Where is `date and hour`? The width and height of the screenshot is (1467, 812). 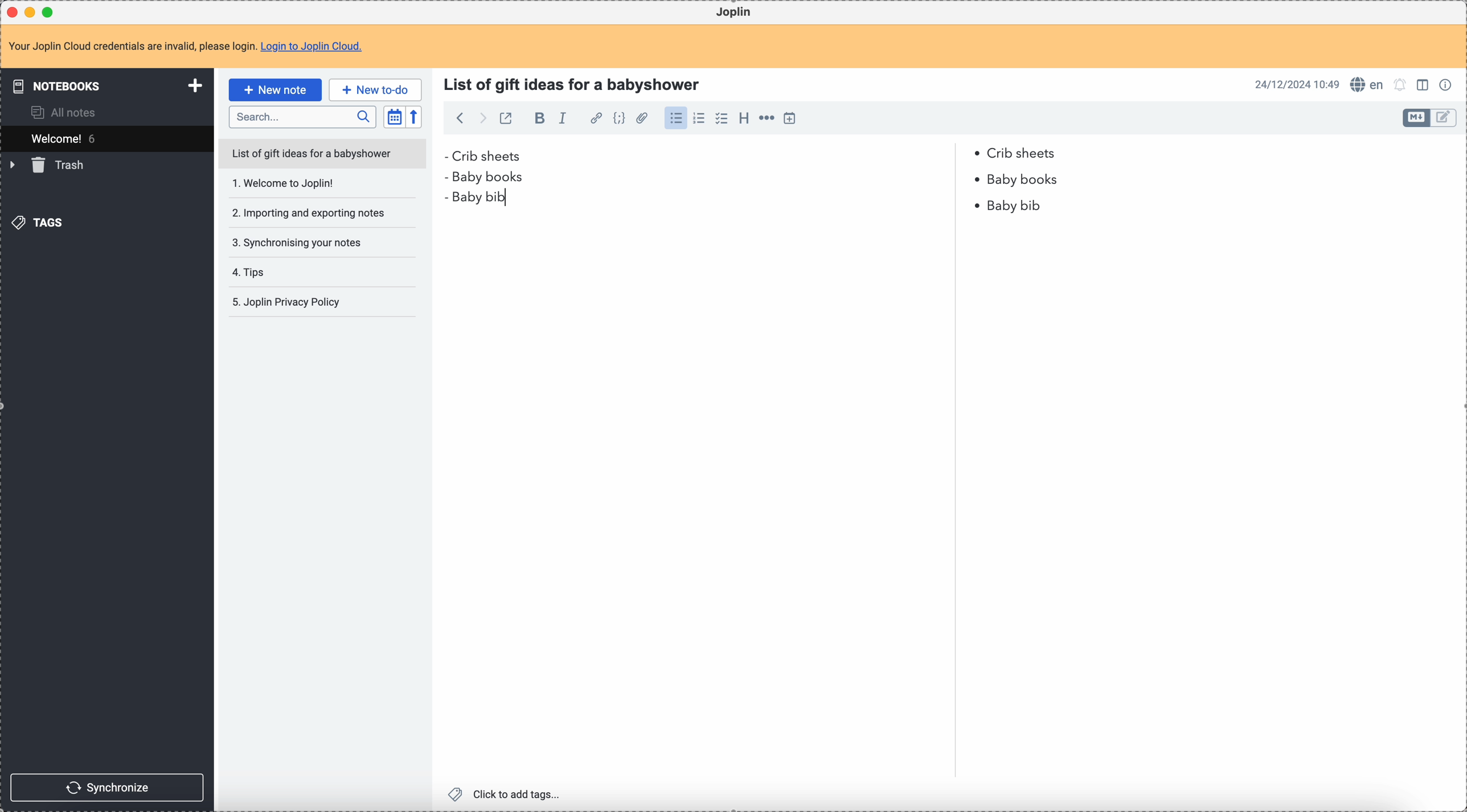
date and hour is located at coordinates (1297, 84).